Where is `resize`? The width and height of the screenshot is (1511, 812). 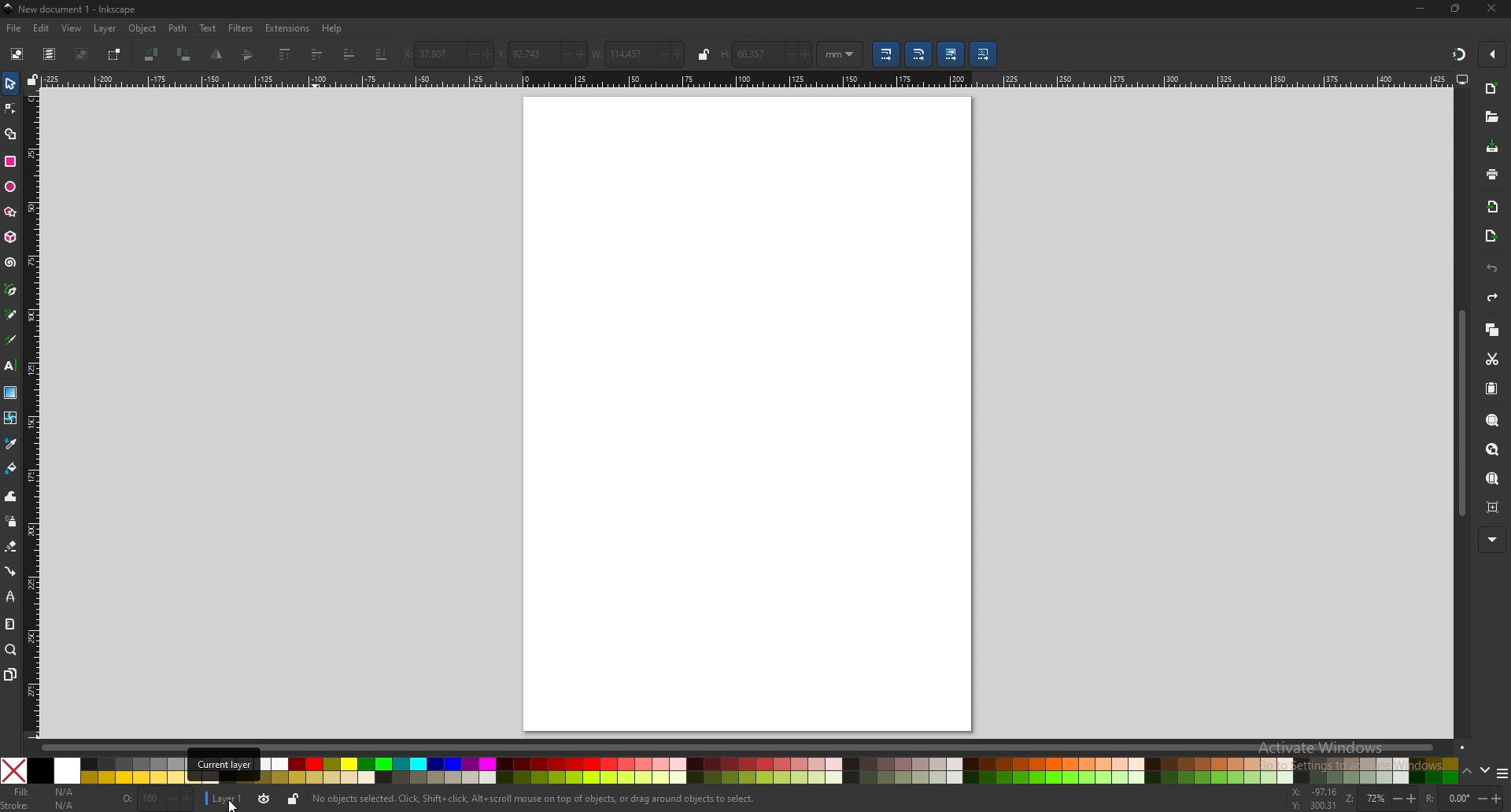 resize is located at coordinates (1456, 8).